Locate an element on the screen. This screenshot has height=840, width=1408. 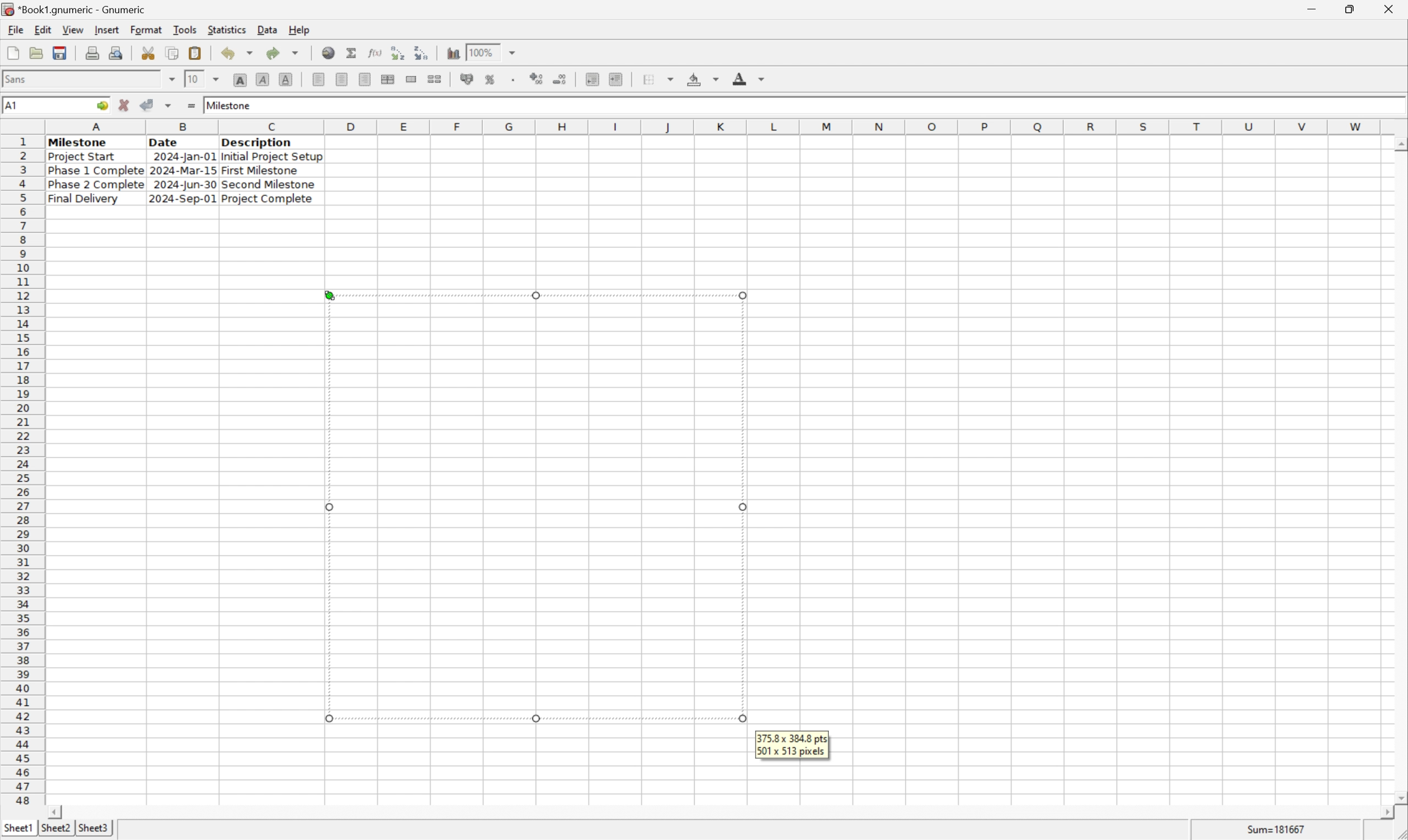
italic is located at coordinates (263, 79).